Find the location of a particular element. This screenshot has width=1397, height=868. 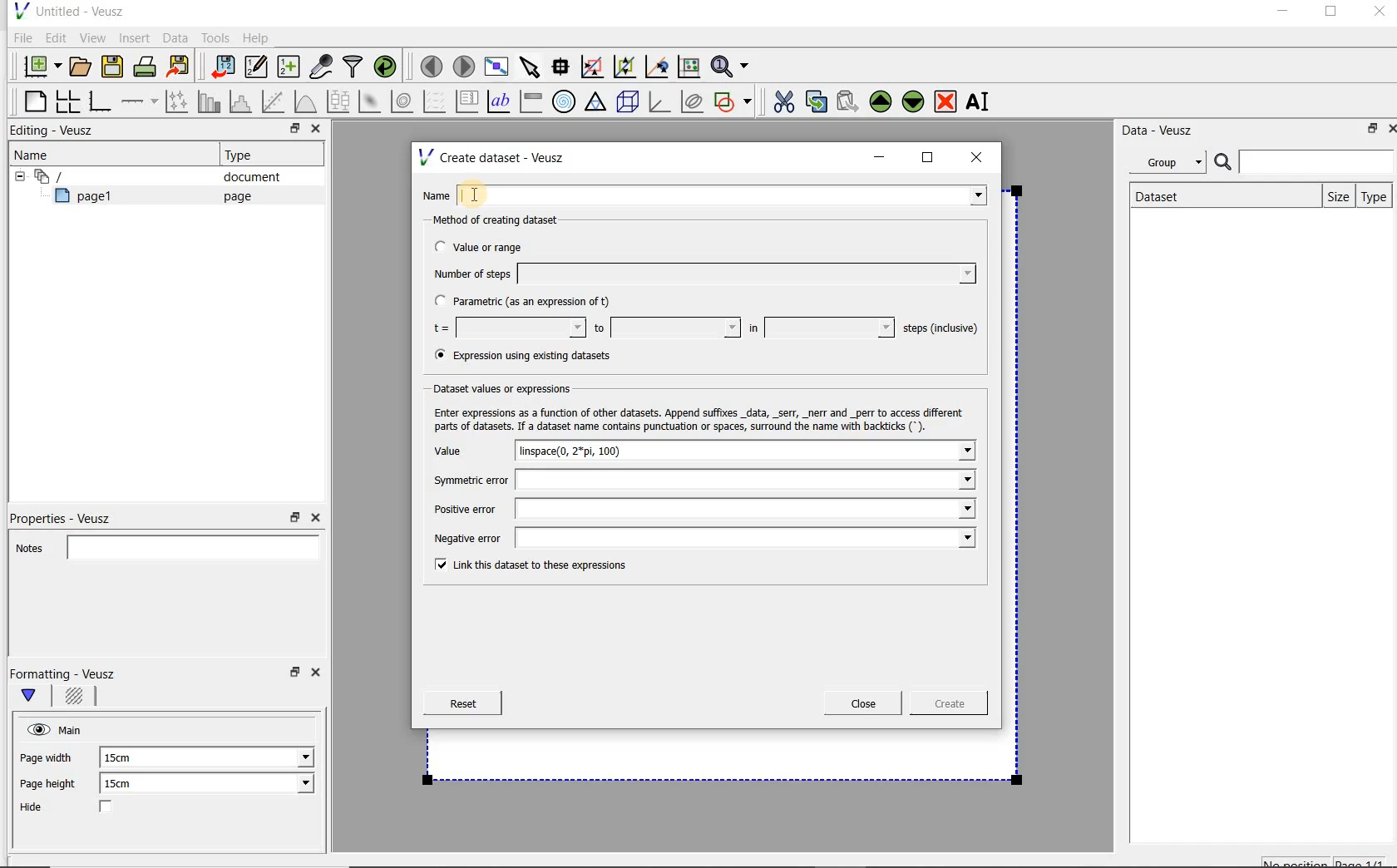

histogram of a dataset is located at coordinates (243, 101).